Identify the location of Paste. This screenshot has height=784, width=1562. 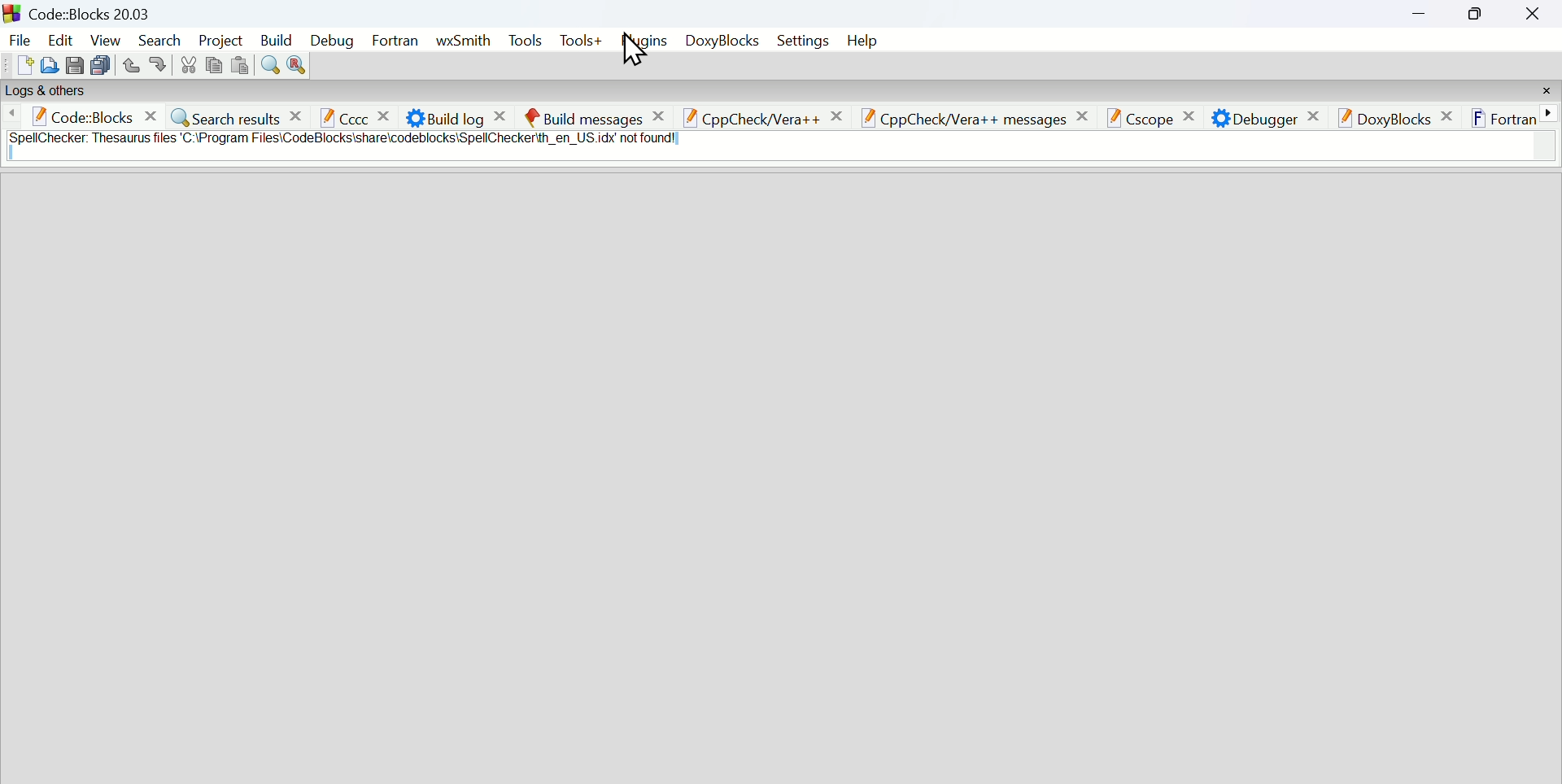
(239, 63).